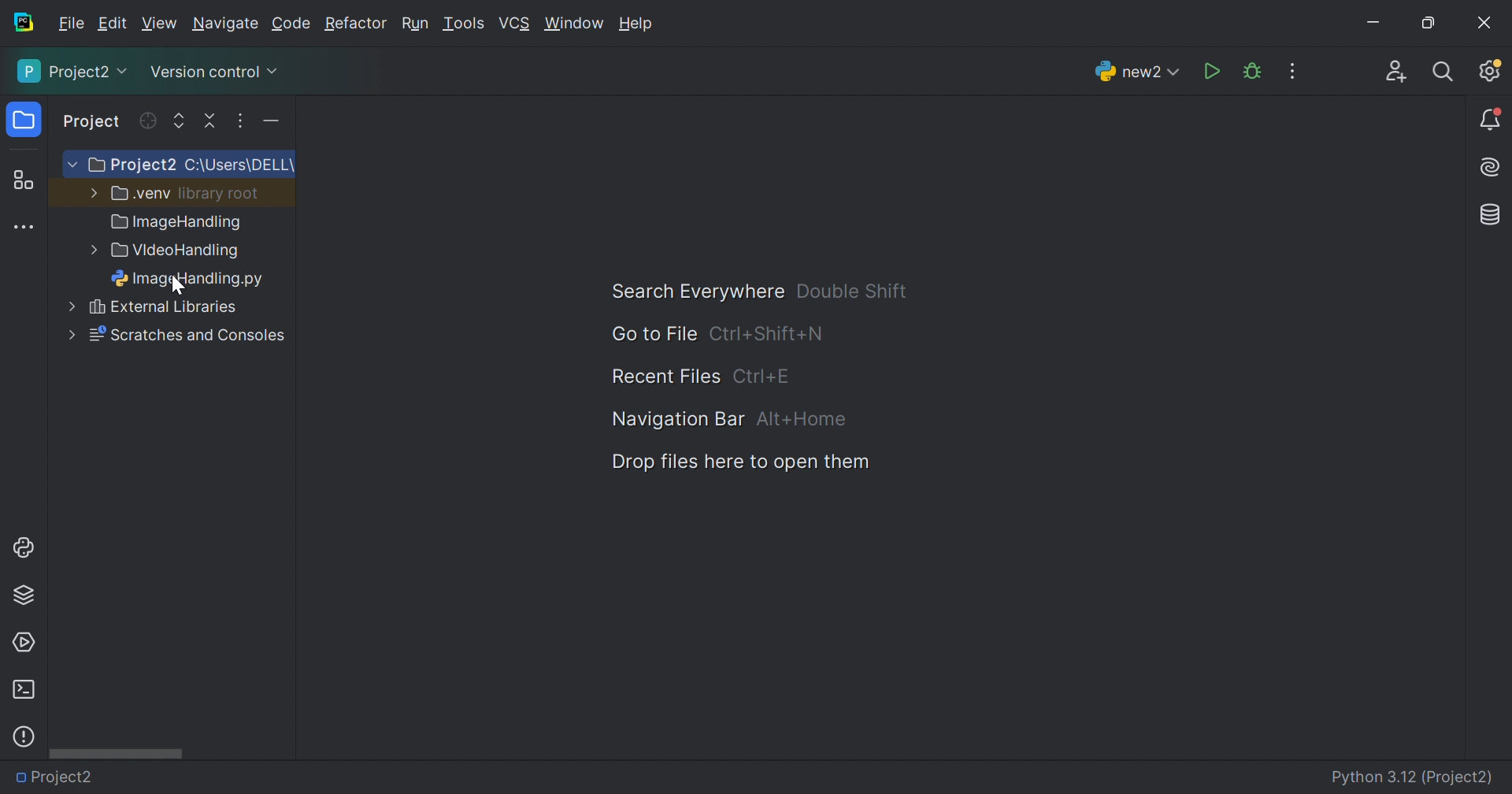  What do you see at coordinates (90, 251) in the screenshot?
I see `more` at bounding box center [90, 251].